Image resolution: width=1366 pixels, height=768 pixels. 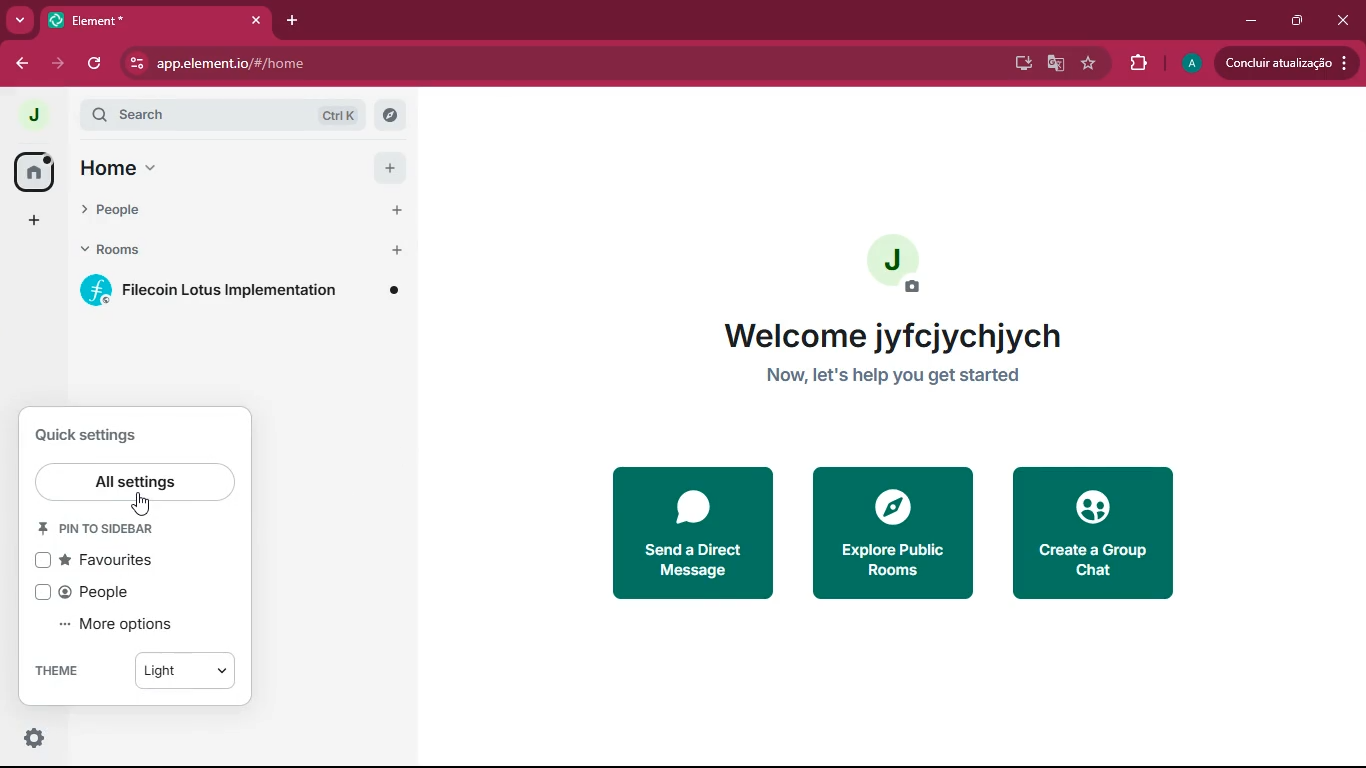 What do you see at coordinates (391, 168) in the screenshot?
I see `add` at bounding box center [391, 168].